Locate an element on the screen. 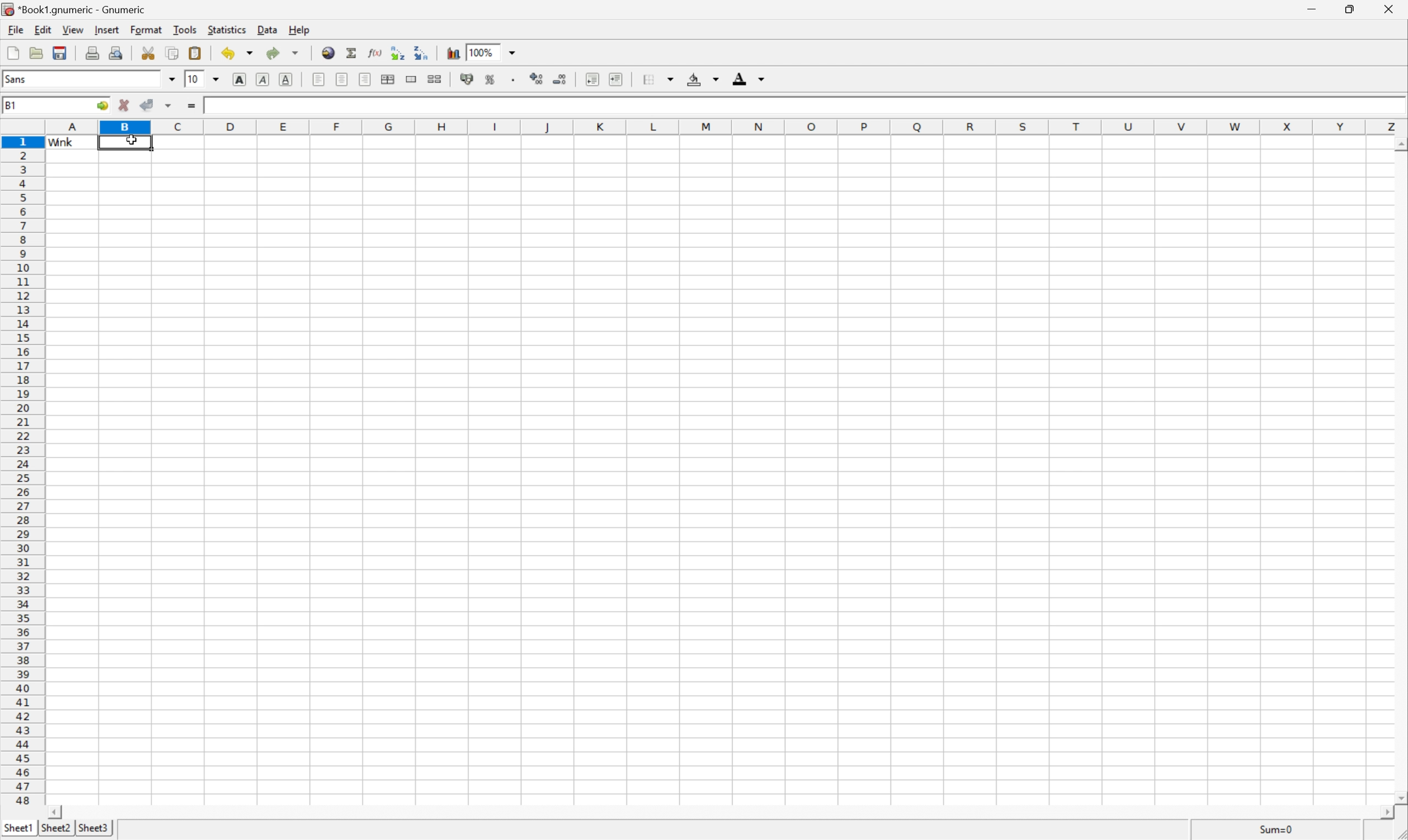 This screenshot has width=1408, height=840. insert is located at coordinates (106, 32).